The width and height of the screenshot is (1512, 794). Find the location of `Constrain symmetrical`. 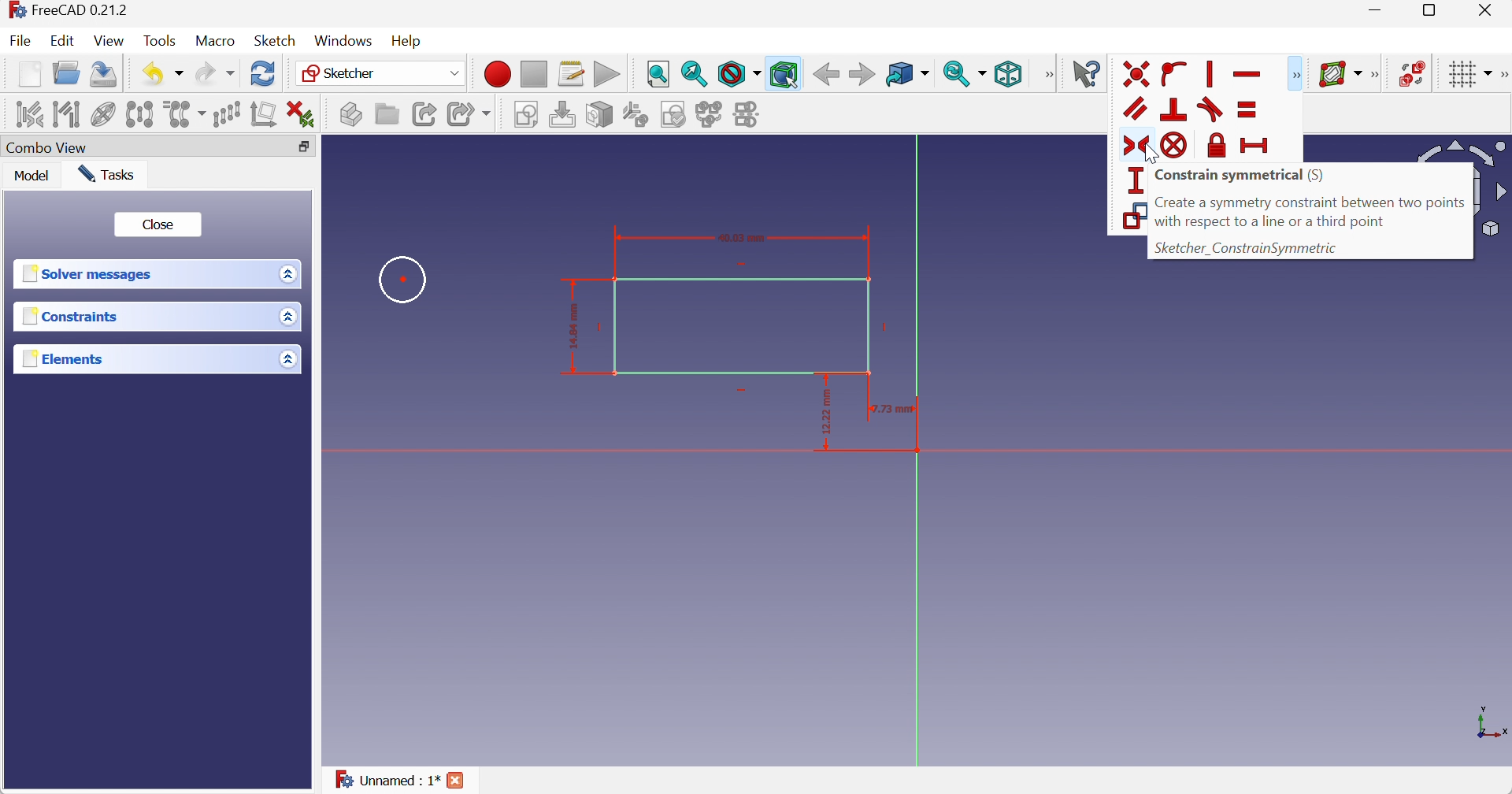

Constrain symmetrical is located at coordinates (1240, 176).